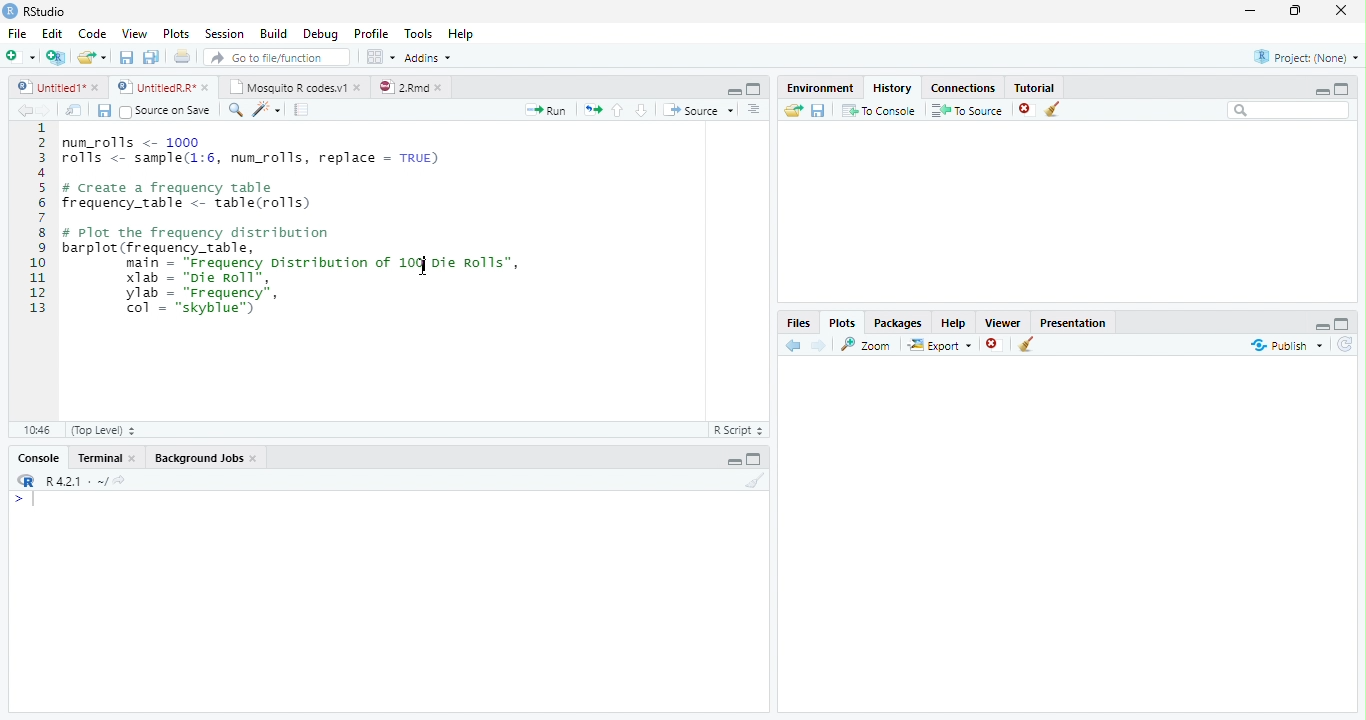 The width and height of the screenshot is (1366, 720). Describe the element at coordinates (69, 481) in the screenshot. I see `R R421 - ~/` at that location.